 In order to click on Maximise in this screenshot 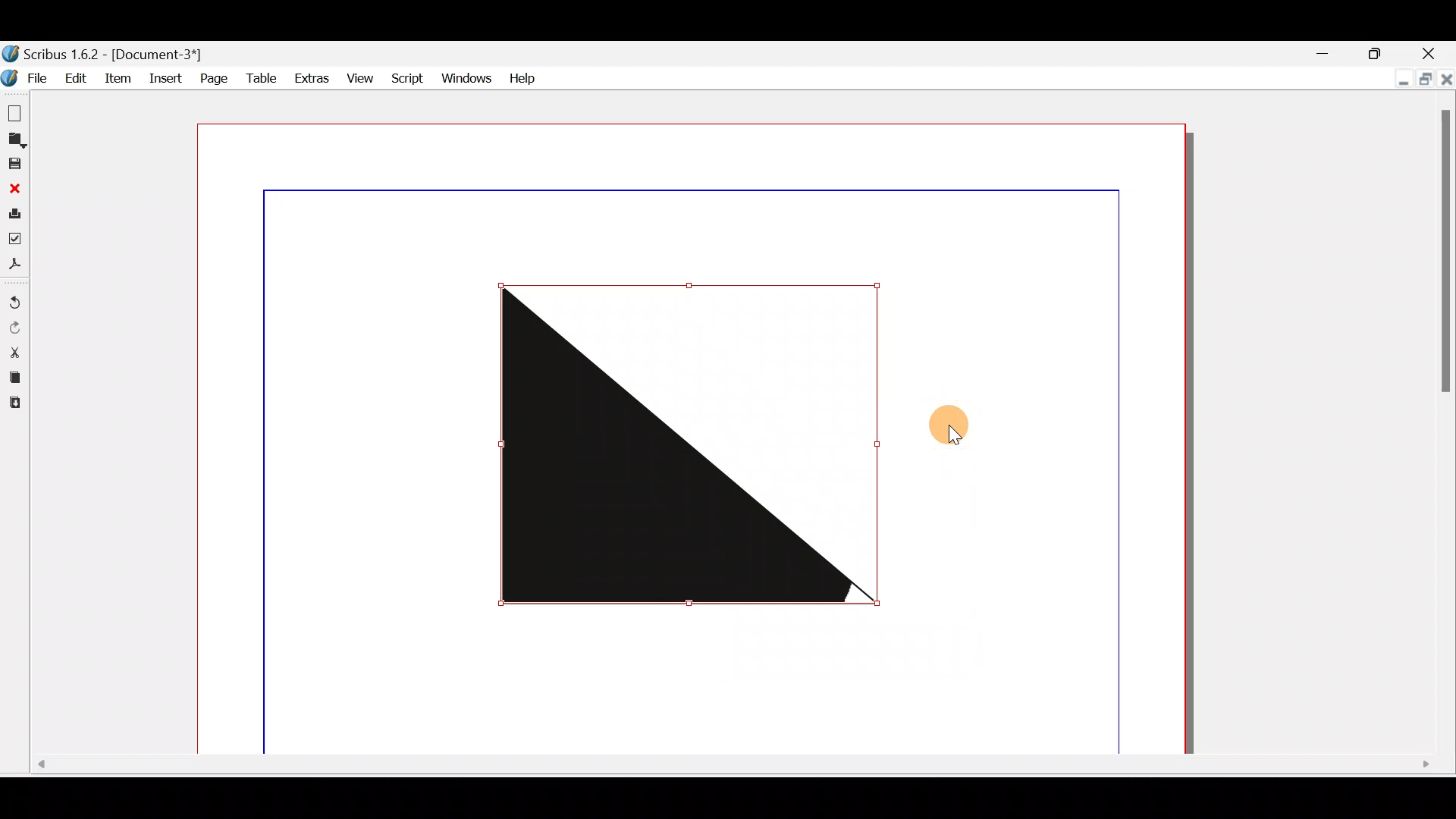, I will do `click(1426, 80)`.